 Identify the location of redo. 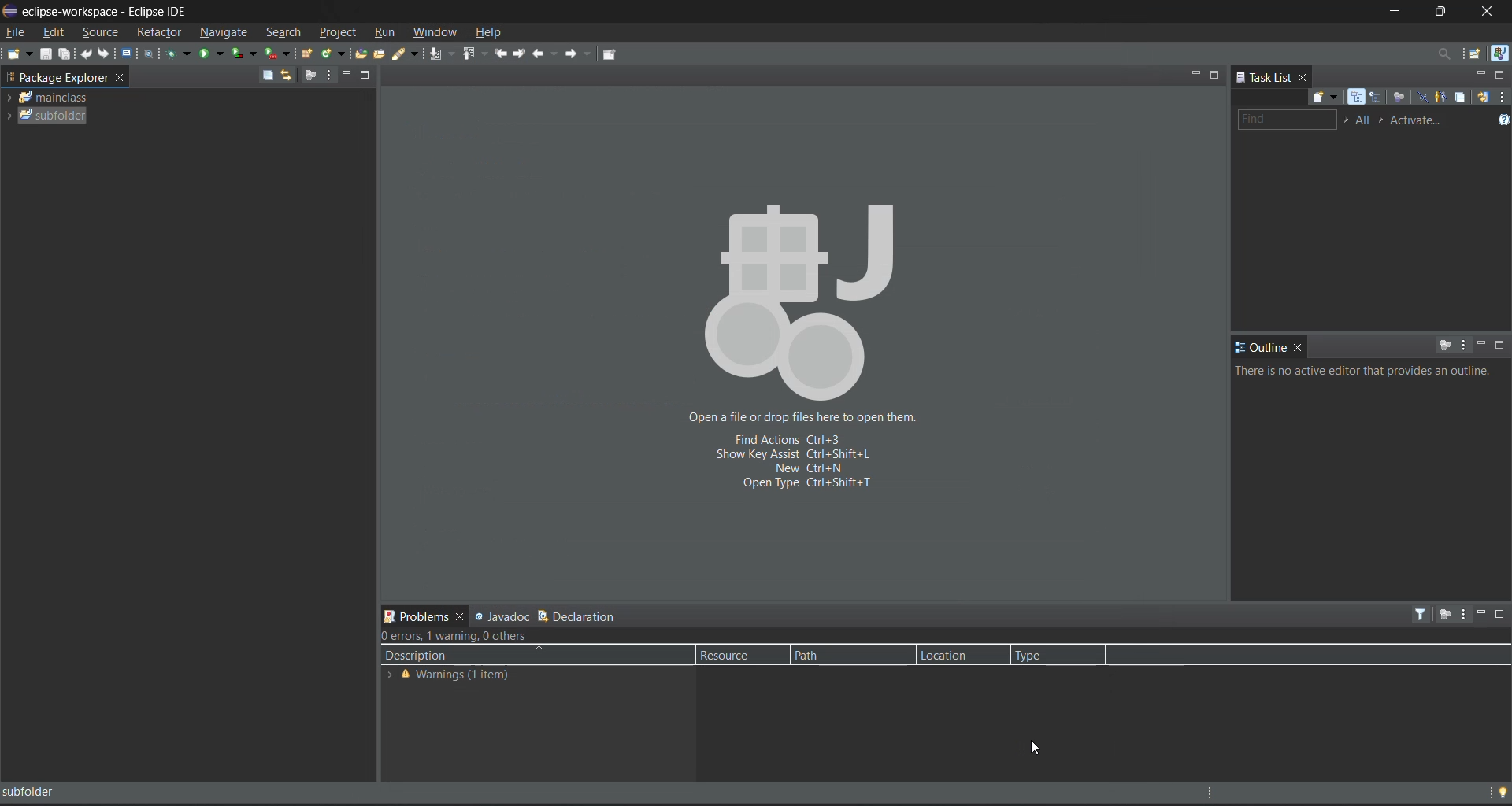
(105, 53).